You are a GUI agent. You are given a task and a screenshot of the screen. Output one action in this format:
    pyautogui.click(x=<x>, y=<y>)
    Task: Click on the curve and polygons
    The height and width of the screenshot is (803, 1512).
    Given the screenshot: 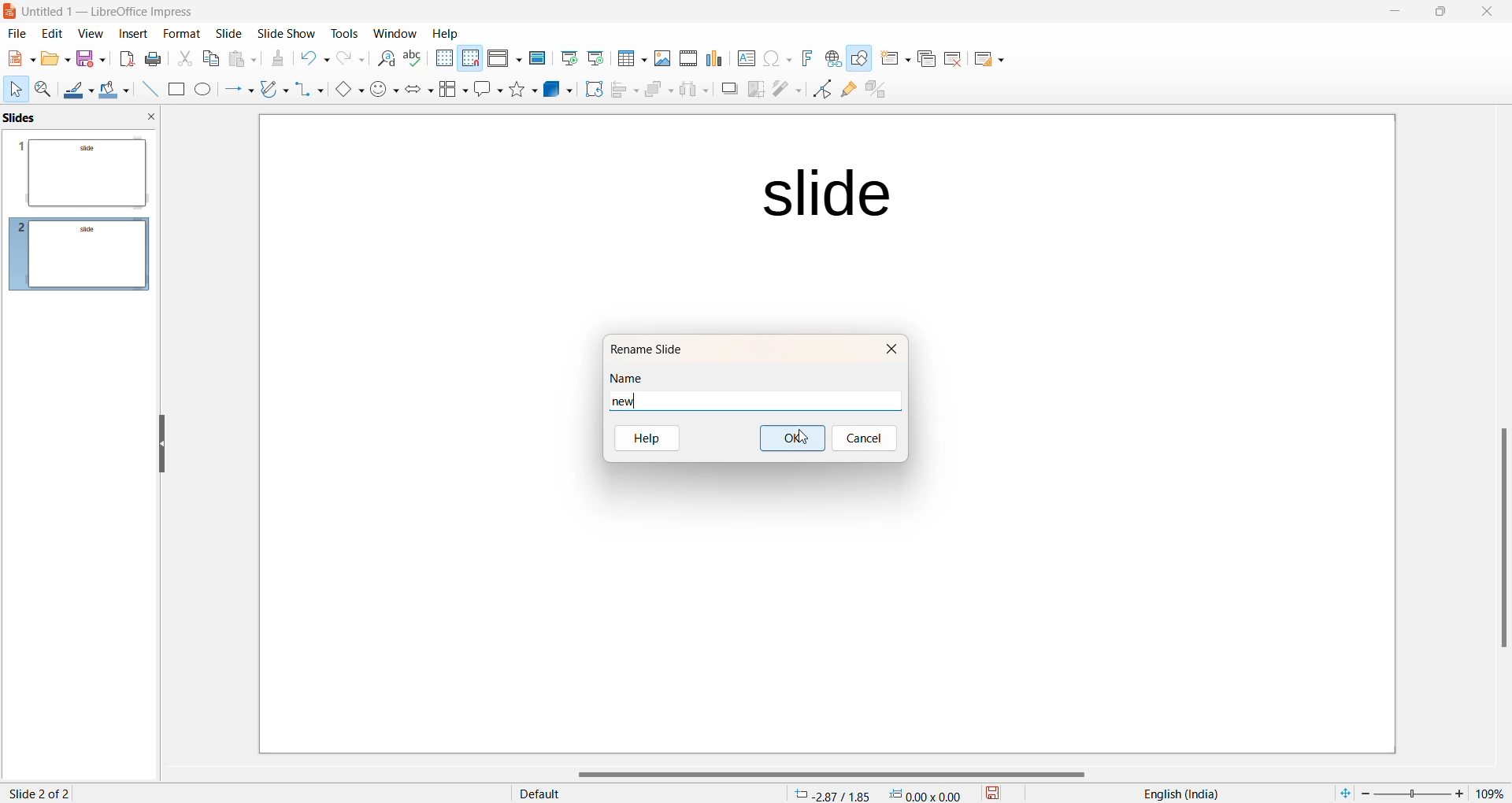 What is the action you would take?
    pyautogui.click(x=272, y=90)
    